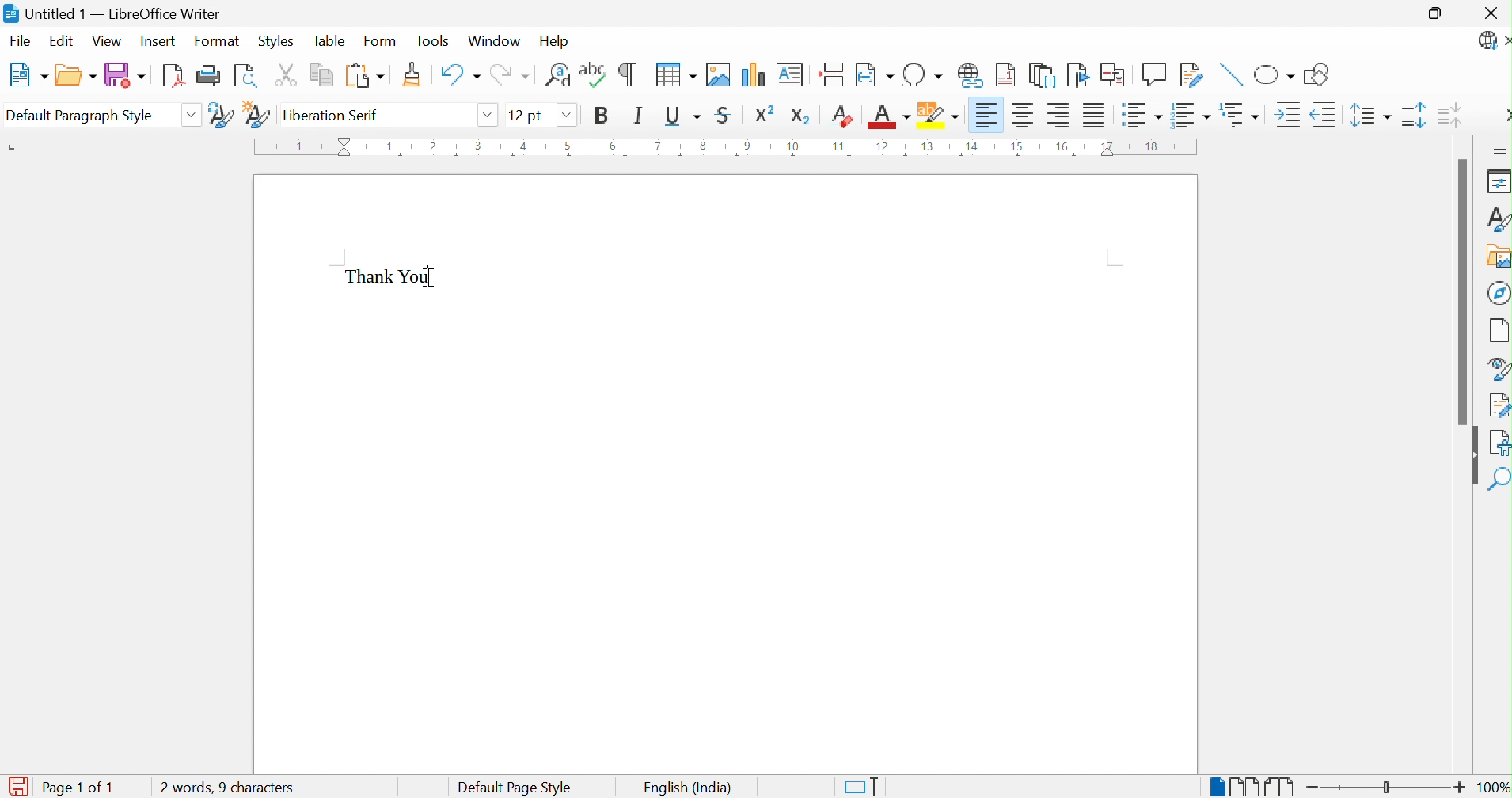 The image size is (1512, 798). What do you see at coordinates (1493, 43) in the screenshot?
I see `LibreOffice Update Available` at bounding box center [1493, 43].